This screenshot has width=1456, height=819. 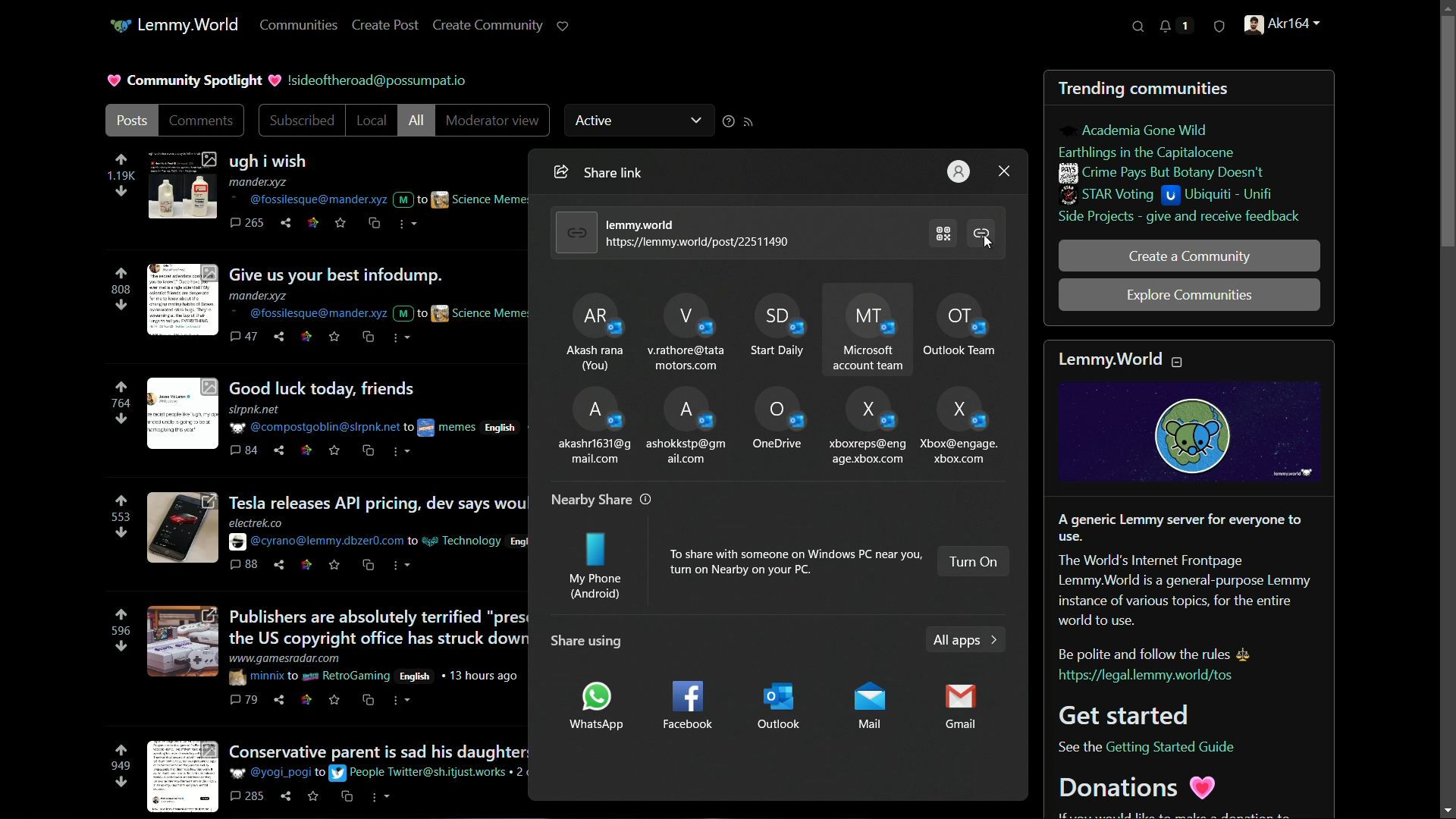 What do you see at coordinates (964, 641) in the screenshot?
I see `all apps` at bounding box center [964, 641].